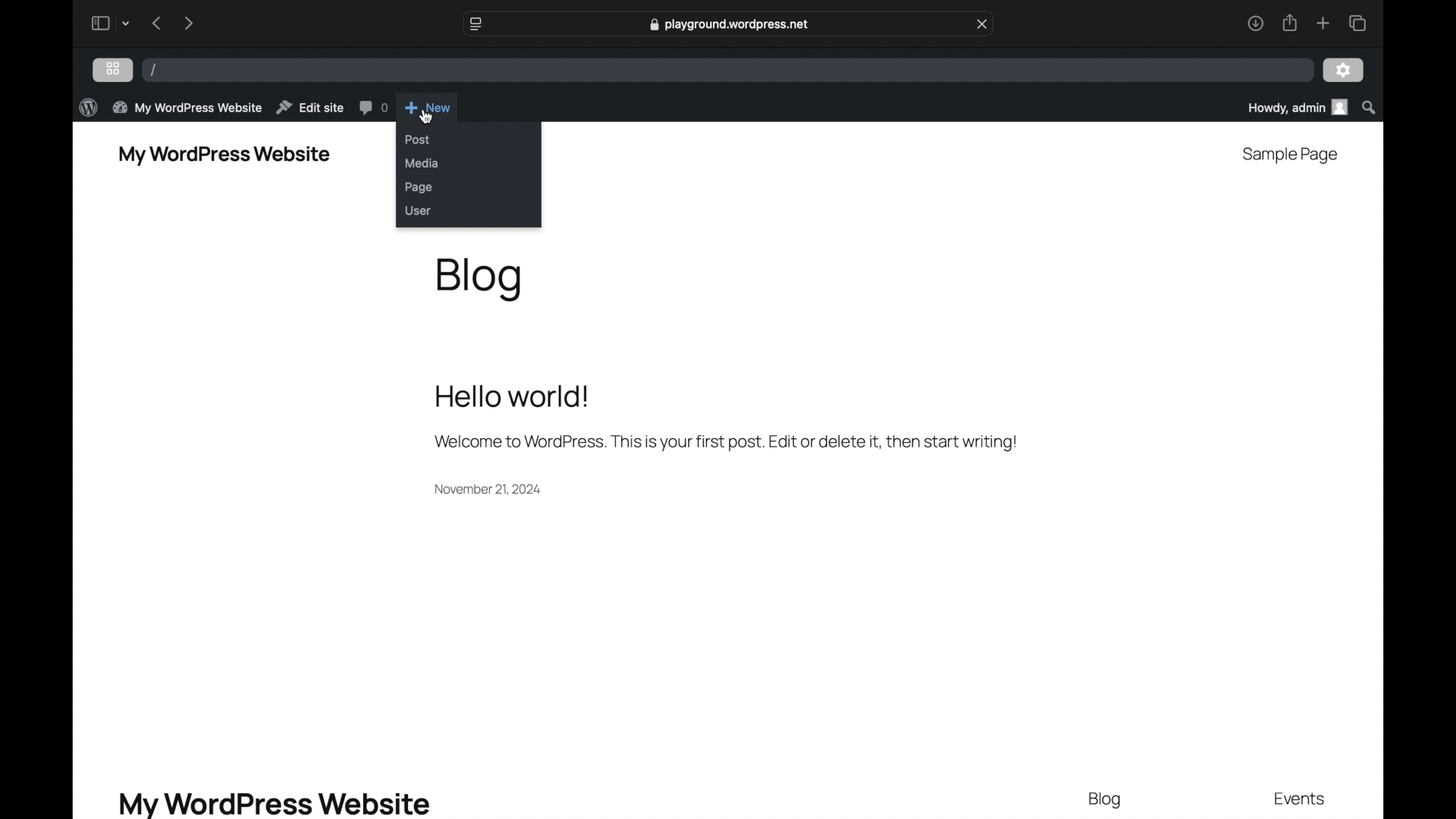 The height and width of the screenshot is (819, 1456). I want to click on pointer cursor, so click(422, 116).